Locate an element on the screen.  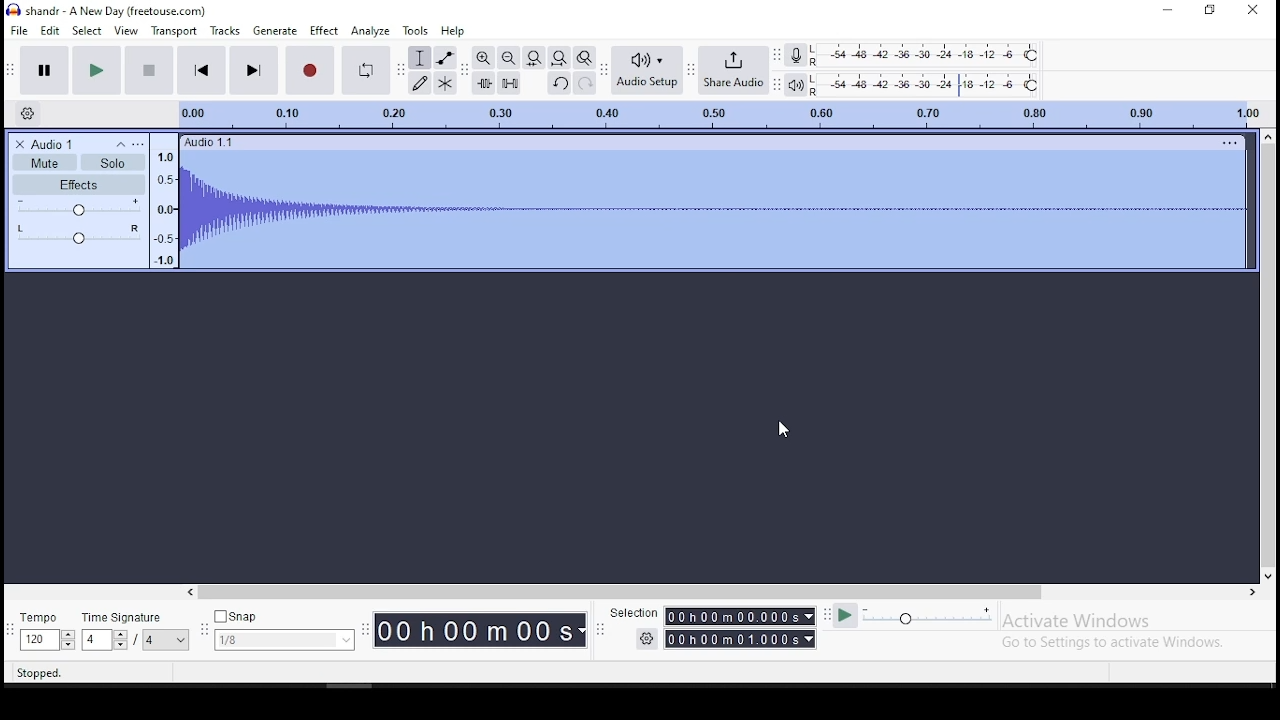
settings is located at coordinates (647, 639).